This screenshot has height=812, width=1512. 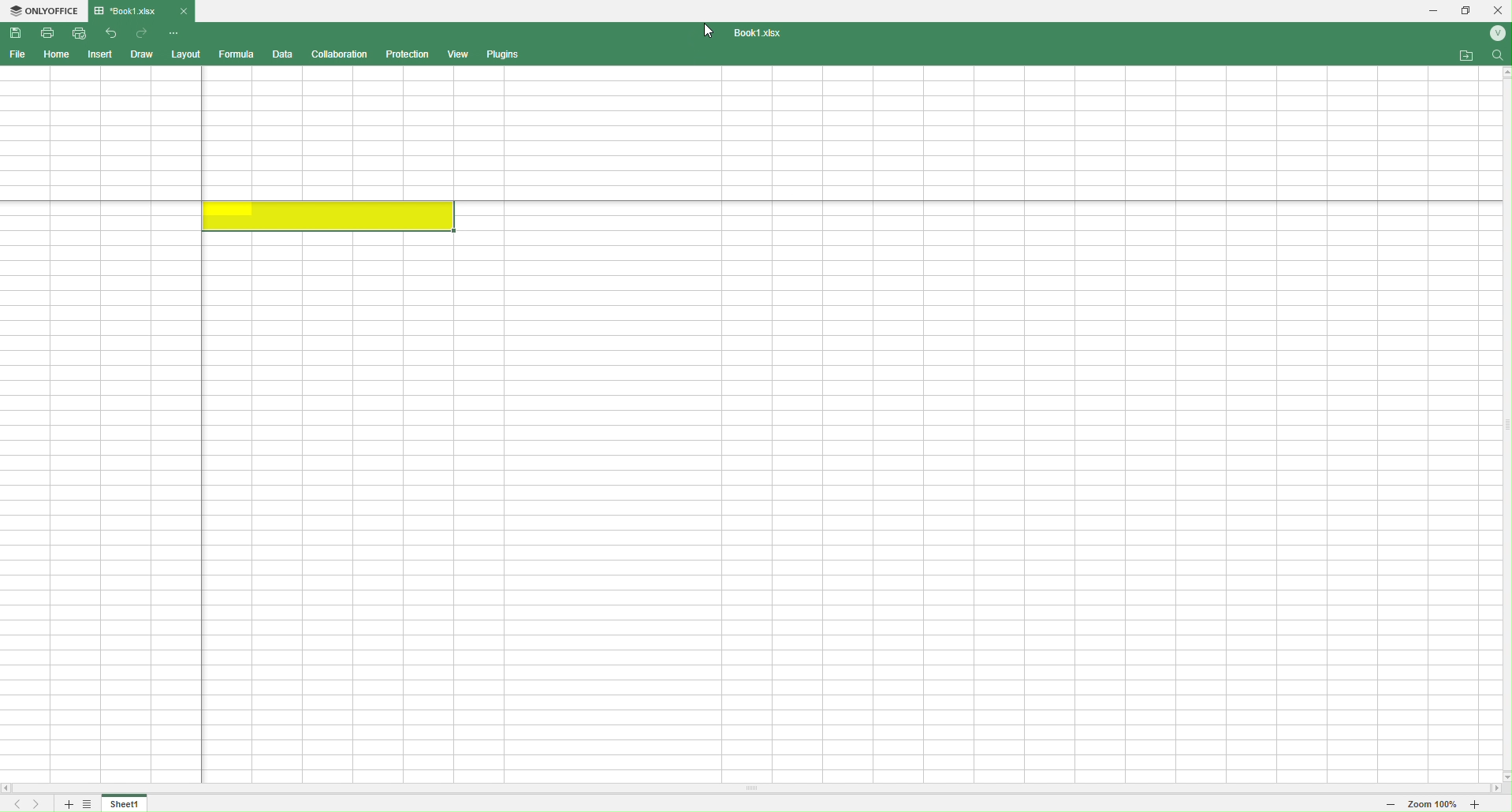 What do you see at coordinates (283, 56) in the screenshot?
I see `Data` at bounding box center [283, 56].